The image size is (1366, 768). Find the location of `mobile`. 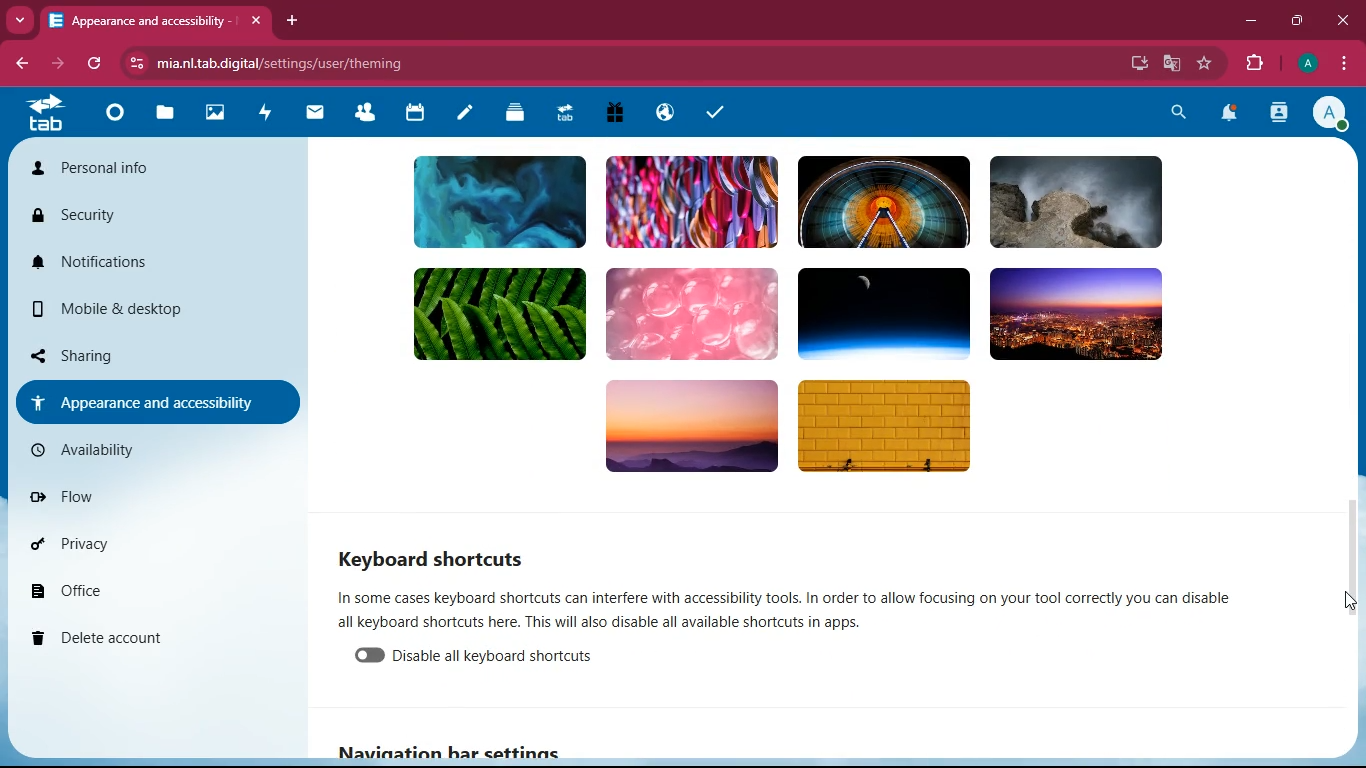

mobile is located at coordinates (144, 304).